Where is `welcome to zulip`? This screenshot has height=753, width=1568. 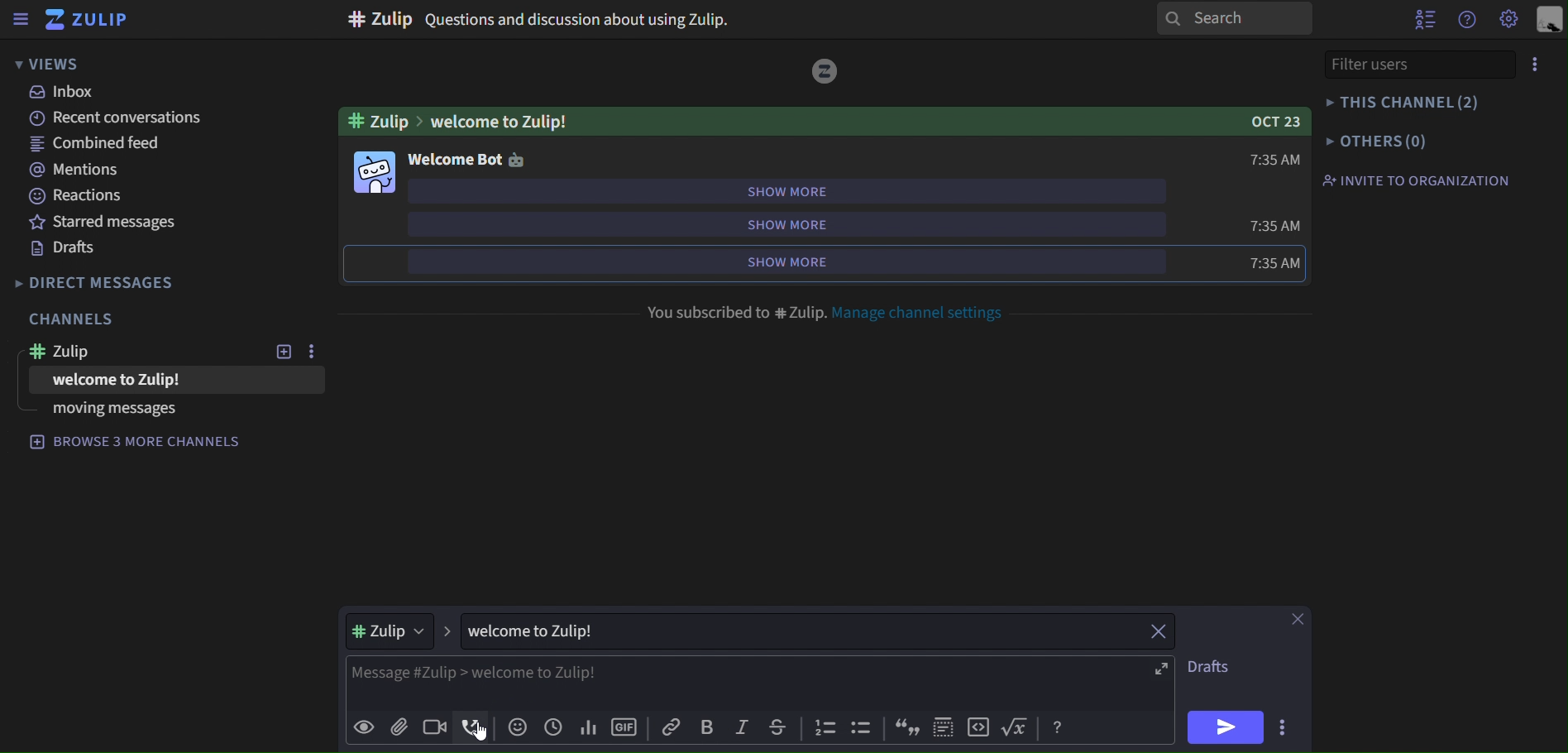
welcome to zulip is located at coordinates (138, 381).